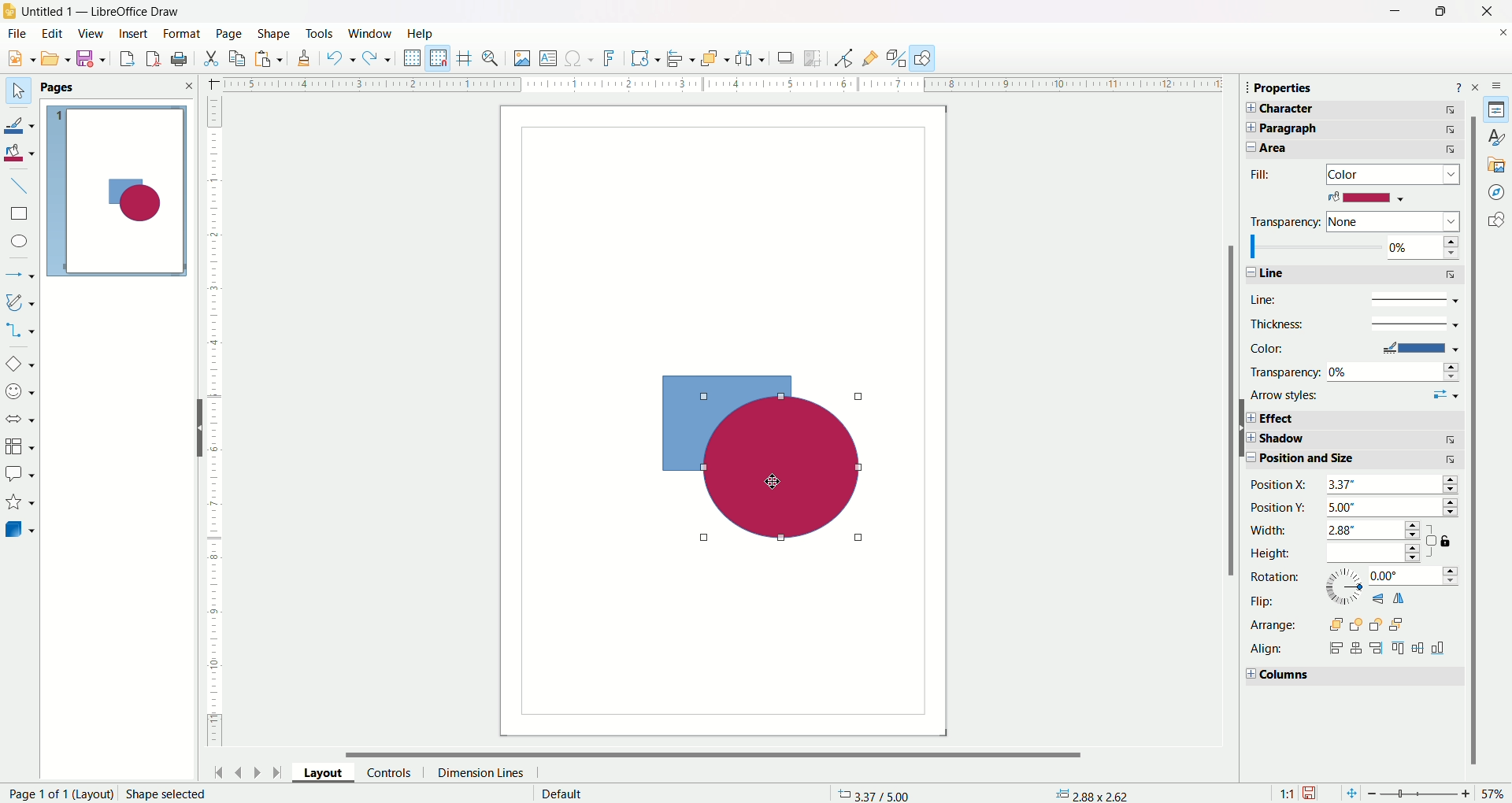 This screenshot has width=1512, height=803. Describe the element at coordinates (21, 361) in the screenshot. I see `basic shapes` at that location.